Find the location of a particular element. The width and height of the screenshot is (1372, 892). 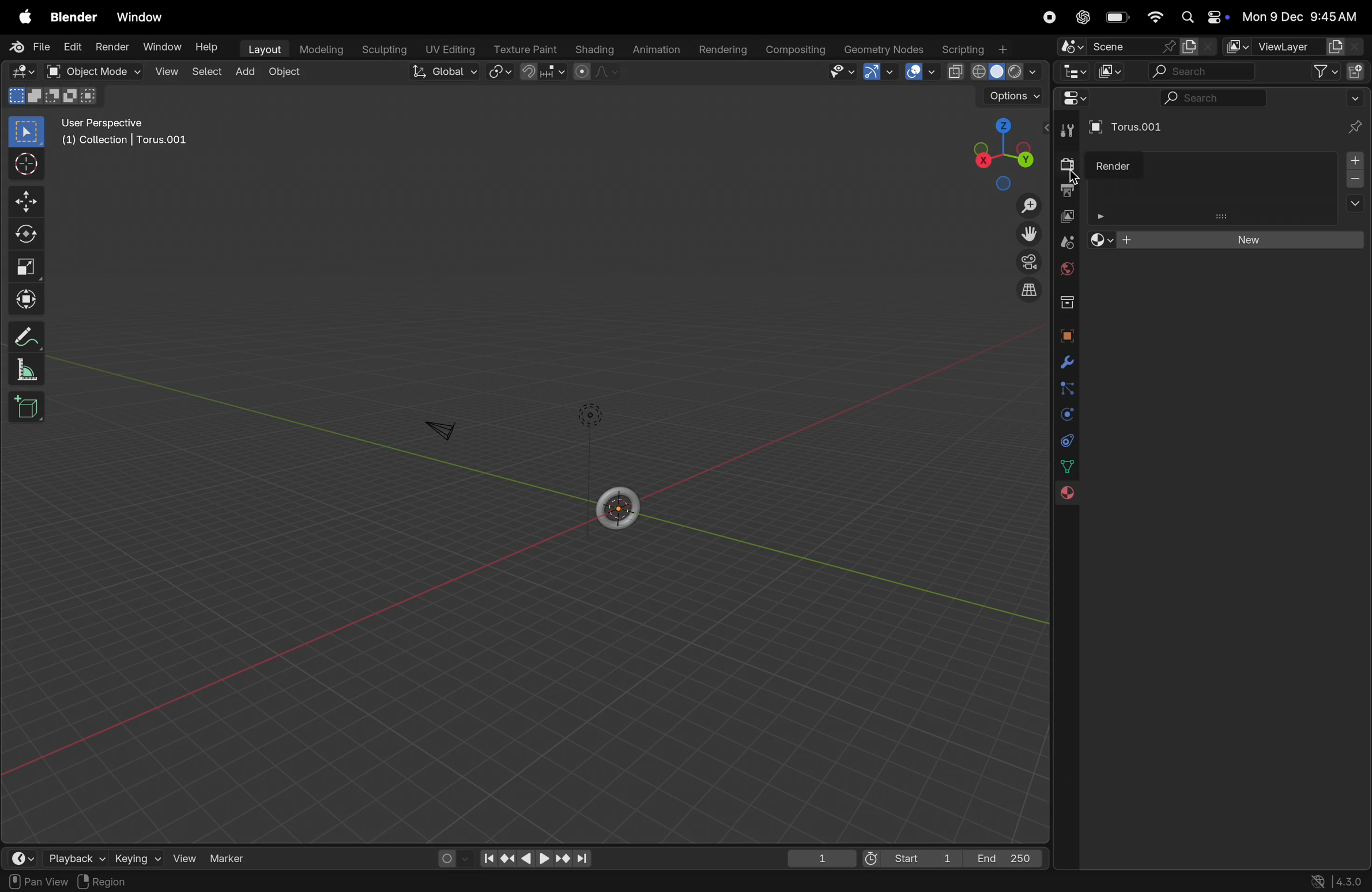

snap is located at coordinates (542, 73).